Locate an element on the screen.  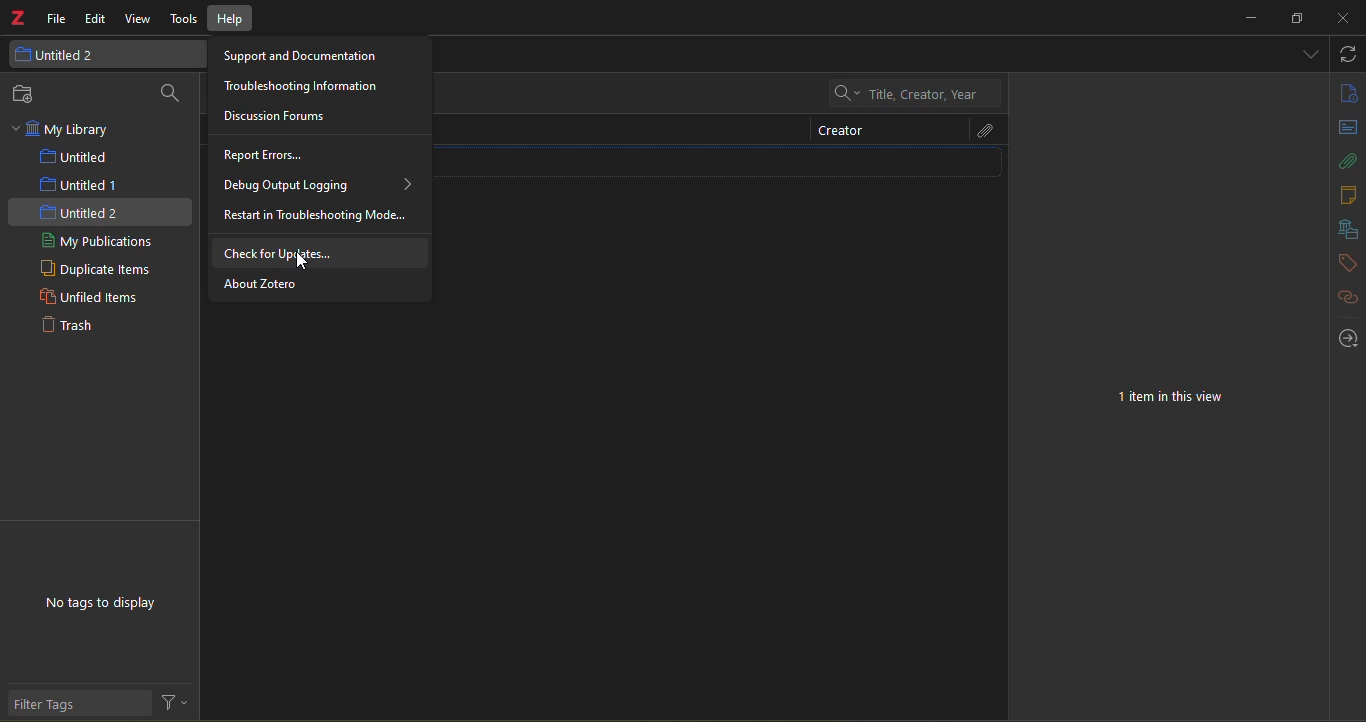
debug output logging is located at coordinates (317, 184).